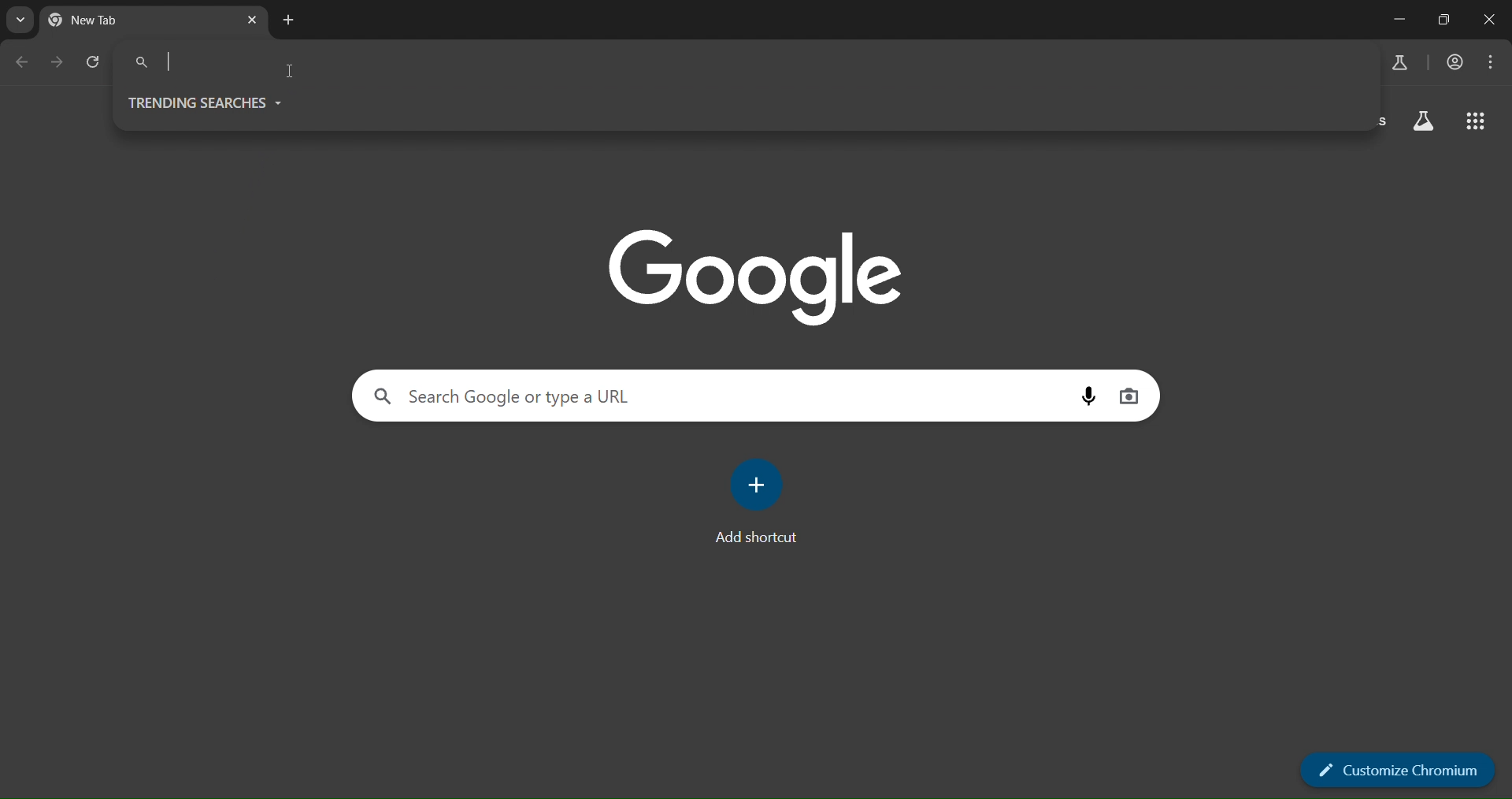 The height and width of the screenshot is (799, 1512). What do you see at coordinates (20, 20) in the screenshot?
I see `search tabs` at bounding box center [20, 20].